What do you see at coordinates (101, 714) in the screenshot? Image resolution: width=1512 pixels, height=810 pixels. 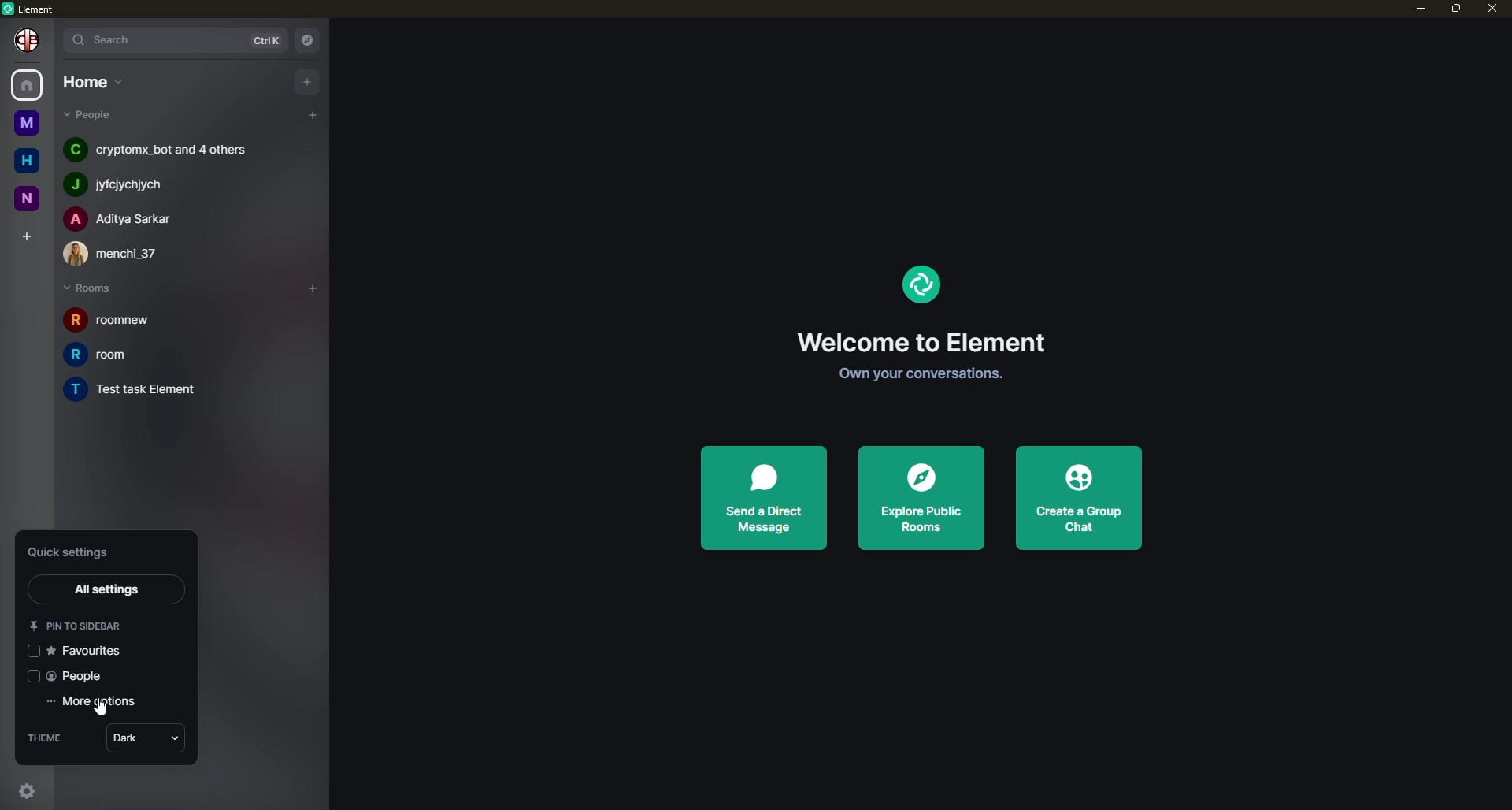 I see `cursor` at bounding box center [101, 714].